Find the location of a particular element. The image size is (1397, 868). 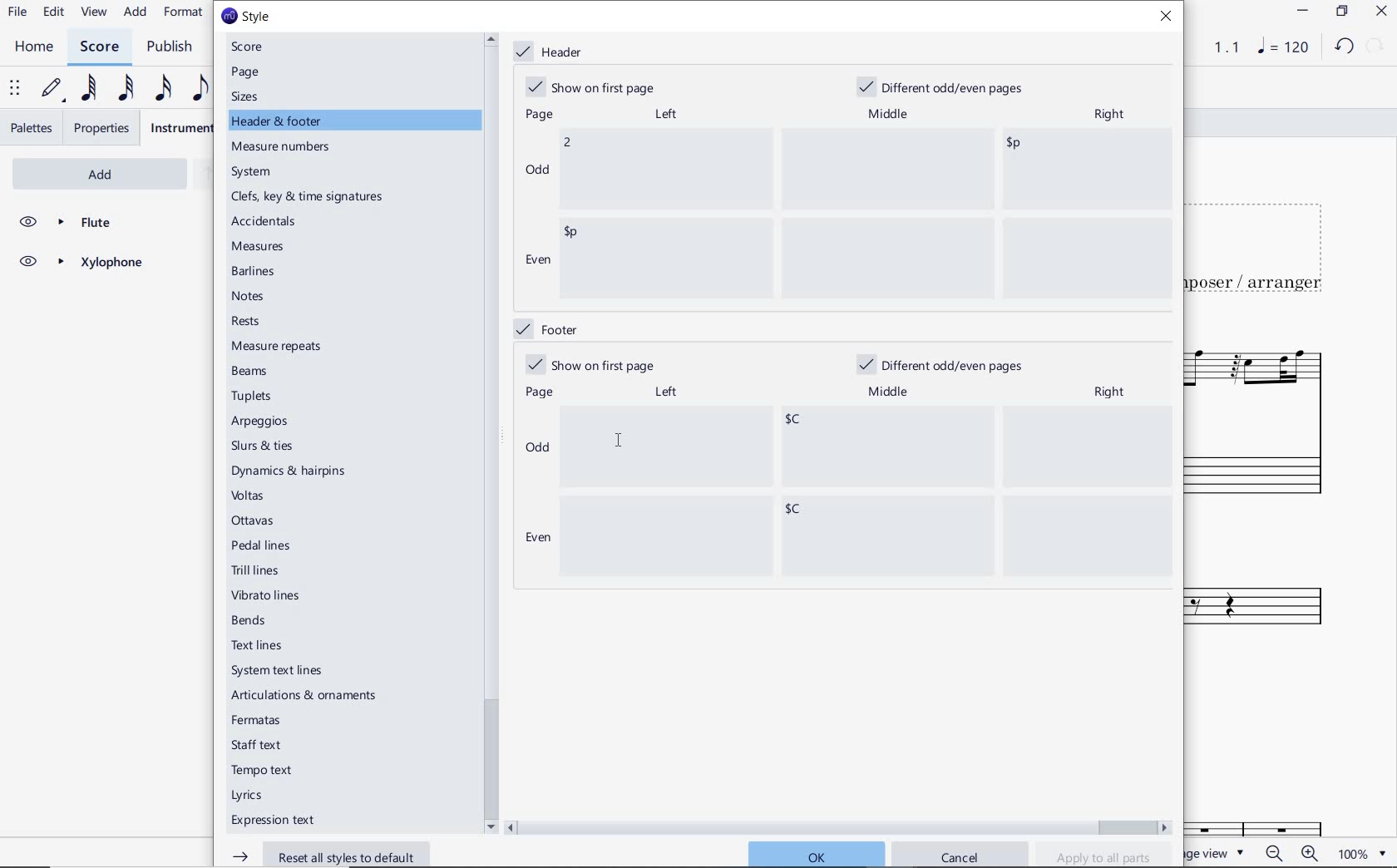

text lines is located at coordinates (258, 645).